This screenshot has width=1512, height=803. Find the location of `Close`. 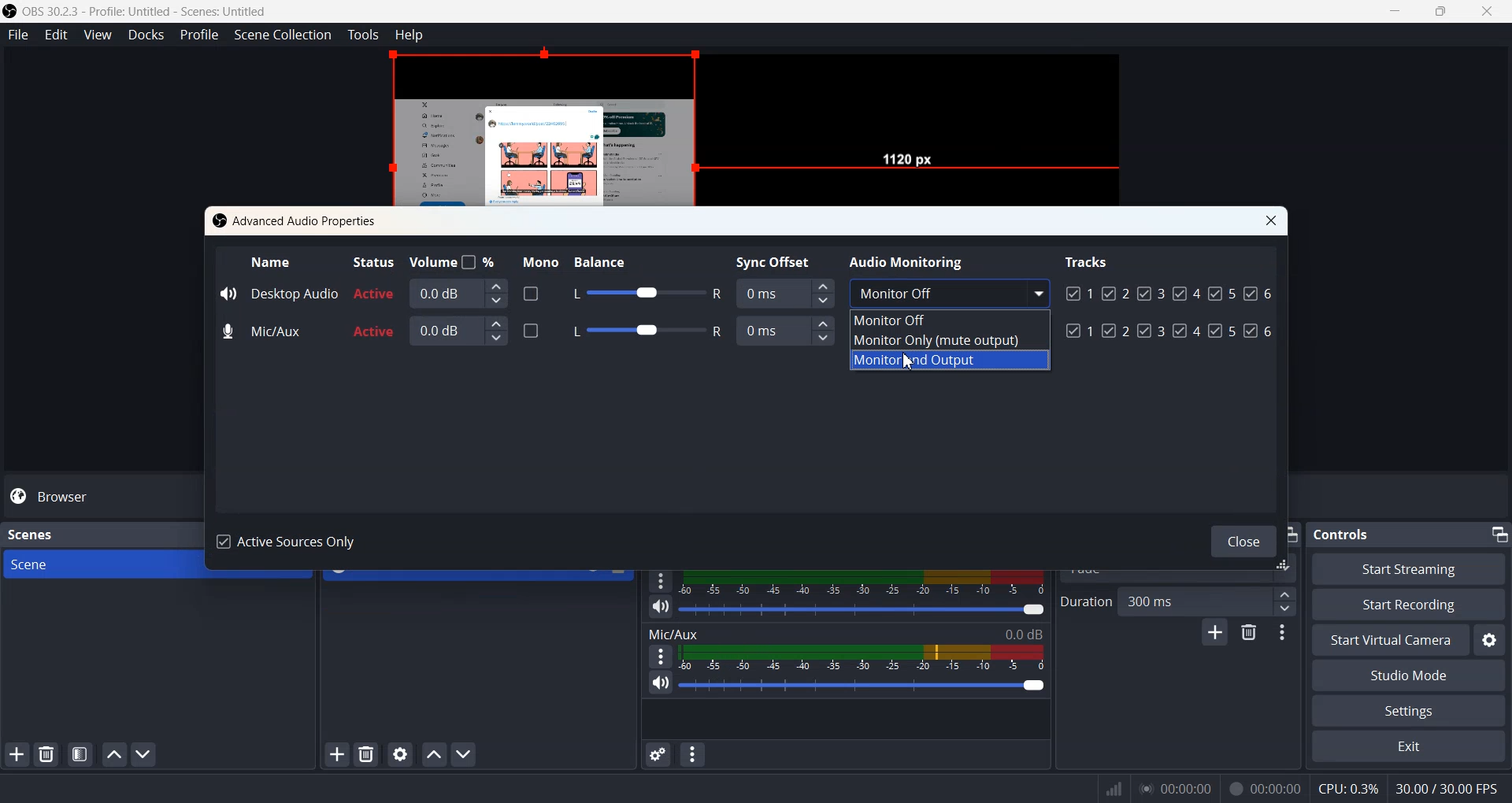

Close is located at coordinates (1272, 221).